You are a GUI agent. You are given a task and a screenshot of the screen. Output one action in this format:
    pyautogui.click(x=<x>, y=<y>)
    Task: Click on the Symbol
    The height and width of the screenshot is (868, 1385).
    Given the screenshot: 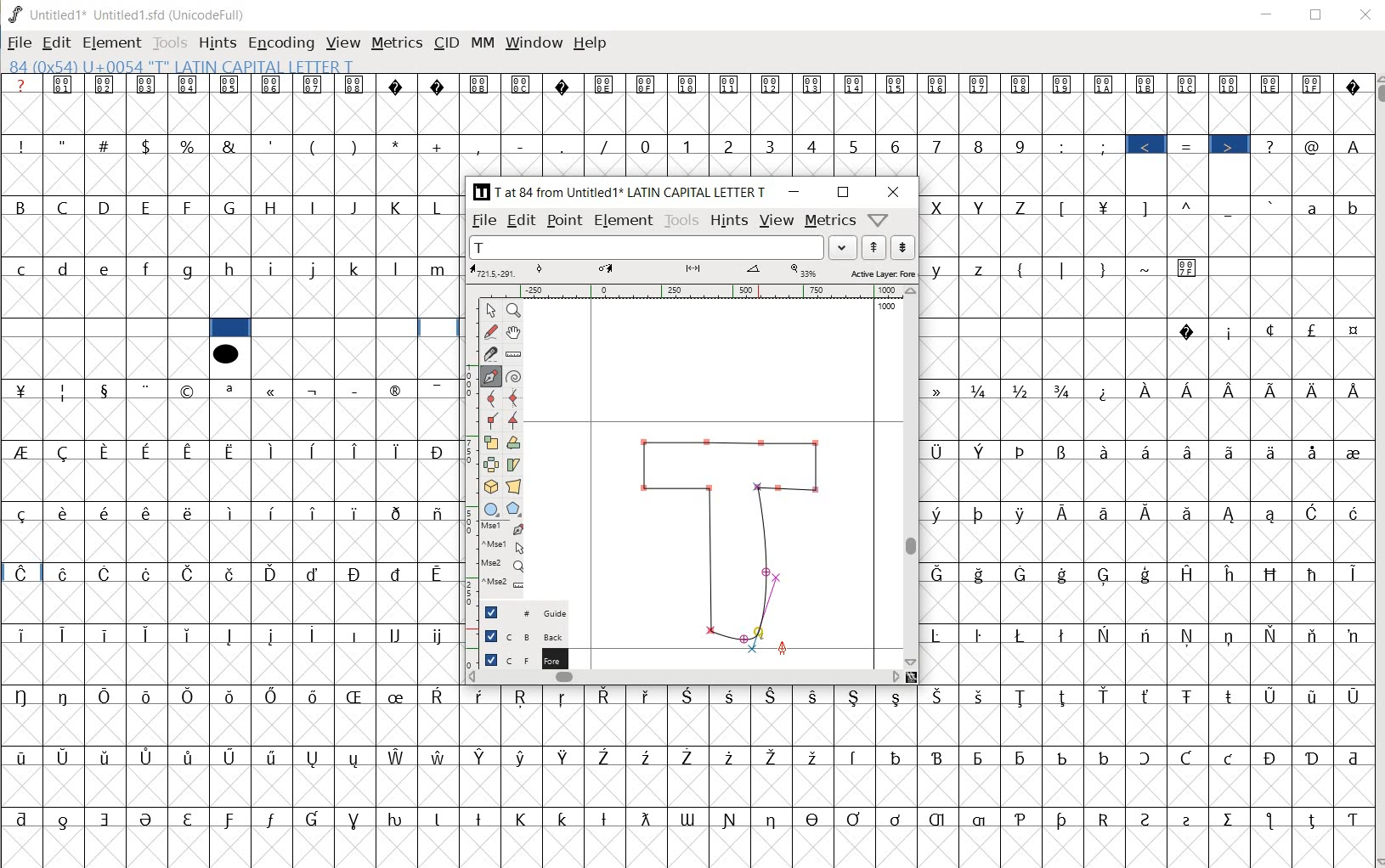 What is the action you would take?
    pyautogui.click(x=106, y=695)
    